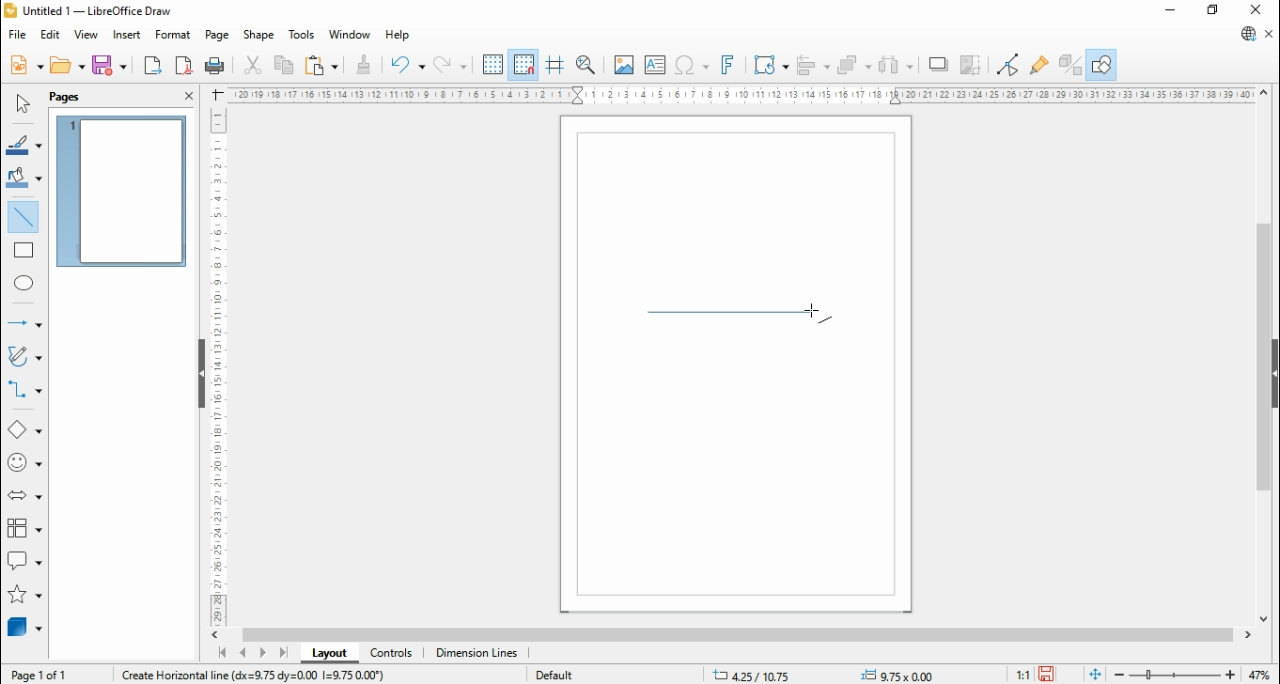 Image resolution: width=1280 pixels, height=684 pixels. I want to click on helplines while moving, so click(554, 63).